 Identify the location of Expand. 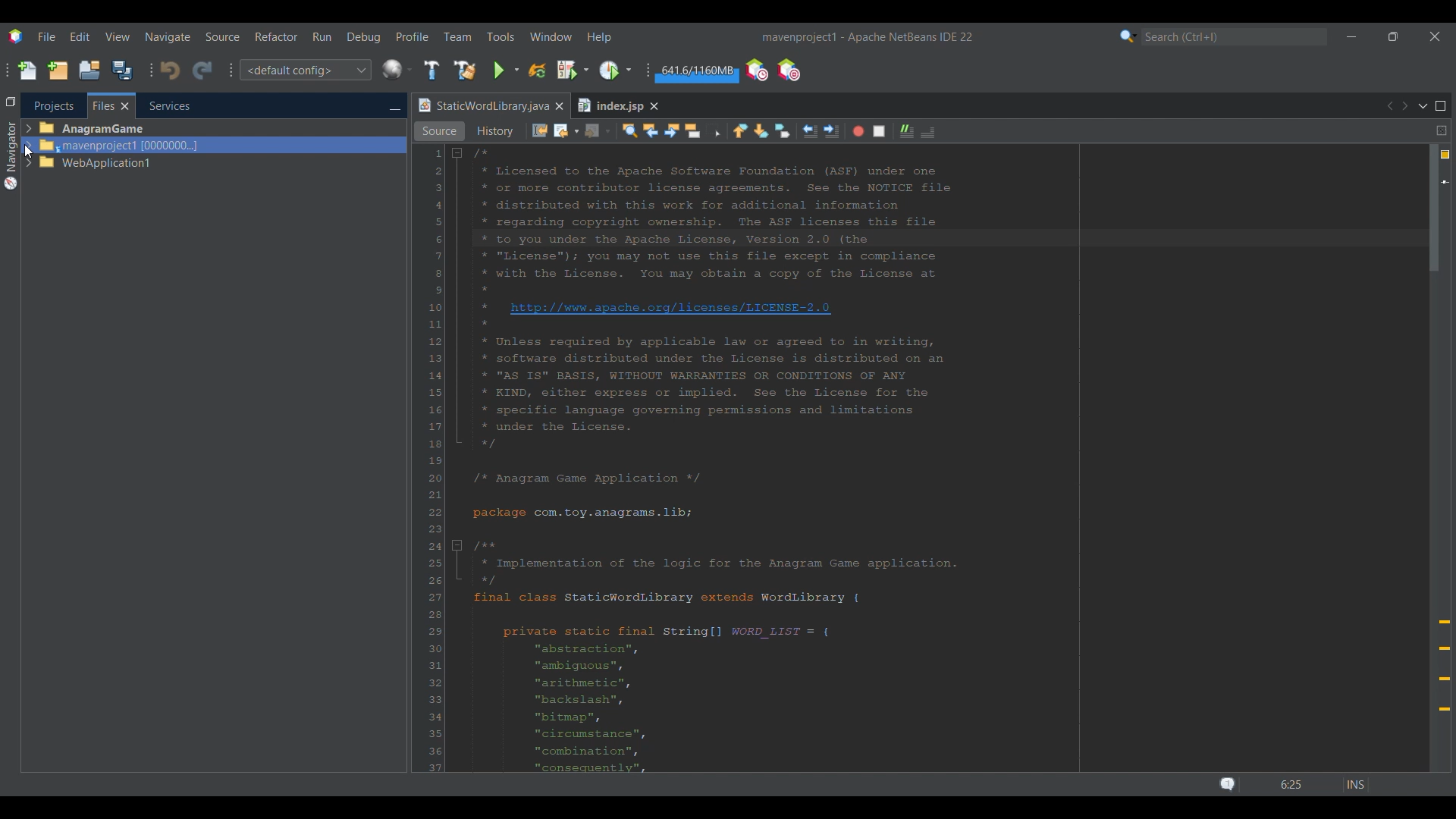
(29, 146).